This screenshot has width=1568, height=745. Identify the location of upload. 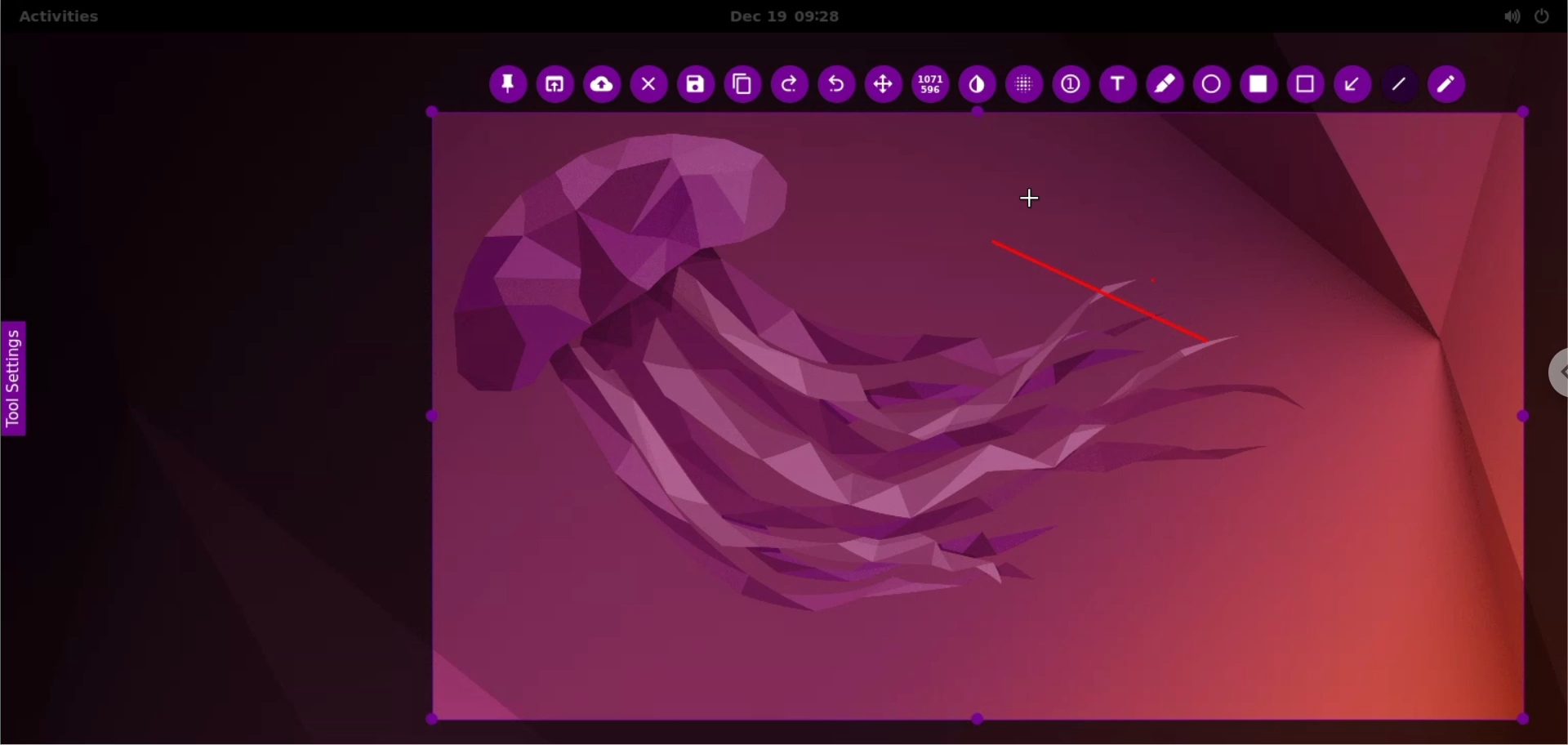
(604, 85).